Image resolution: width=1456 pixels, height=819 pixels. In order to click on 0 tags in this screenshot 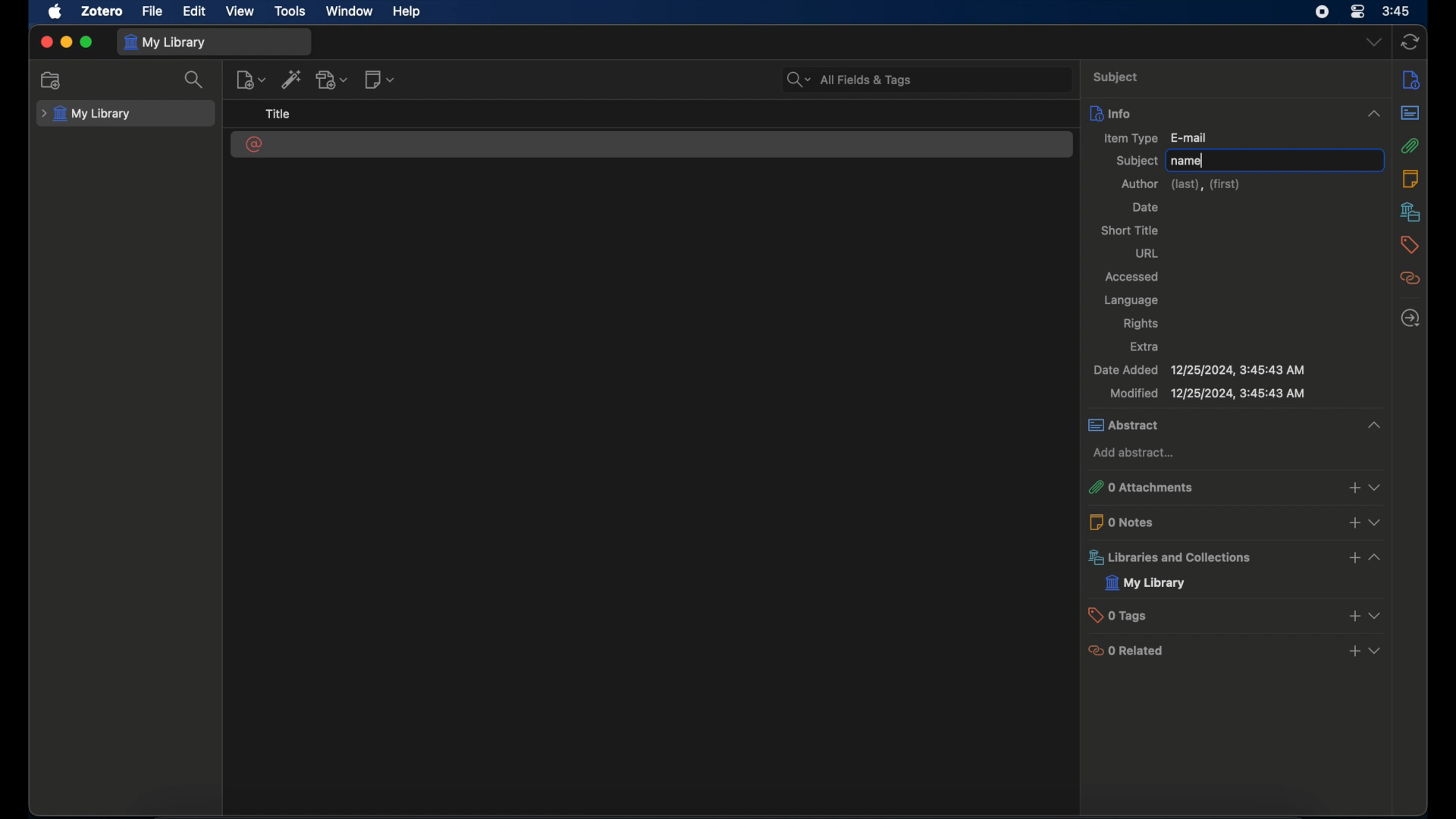, I will do `click(1238, 614)`.